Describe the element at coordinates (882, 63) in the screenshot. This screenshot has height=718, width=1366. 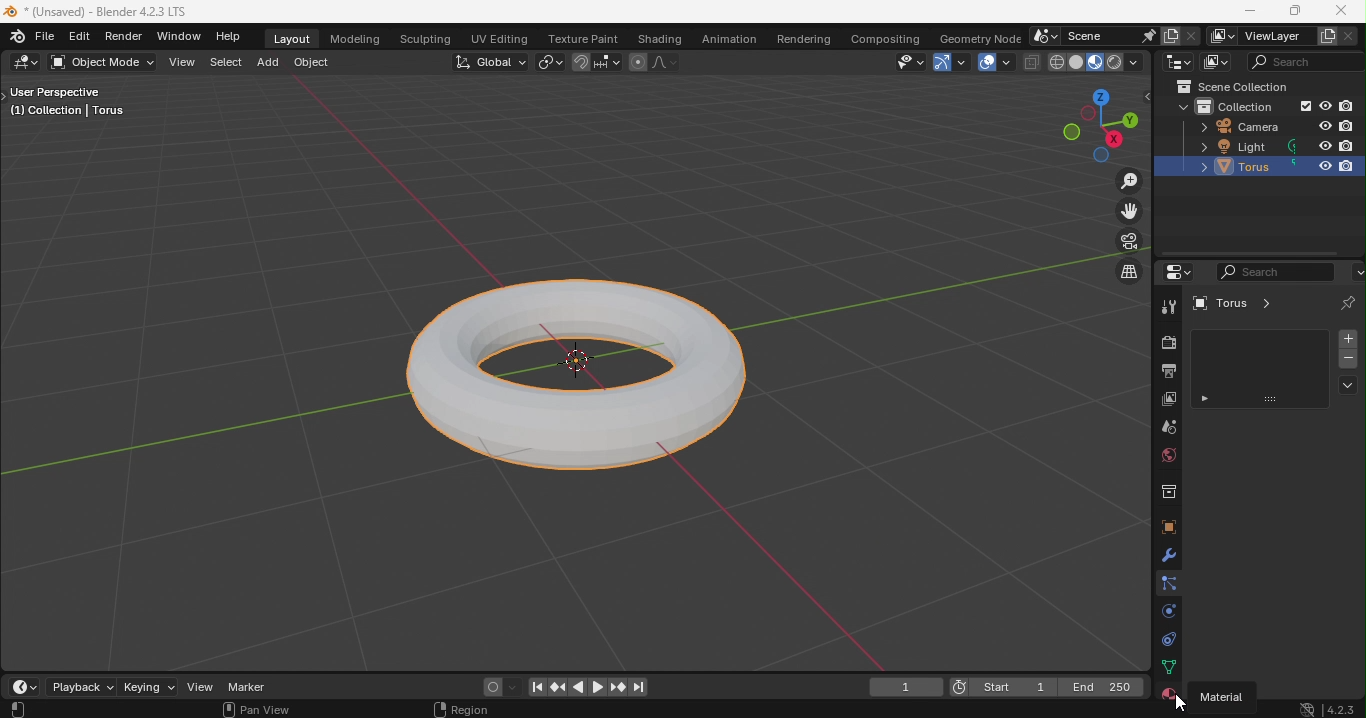
I see `Selectability and Visibilty` at that location.